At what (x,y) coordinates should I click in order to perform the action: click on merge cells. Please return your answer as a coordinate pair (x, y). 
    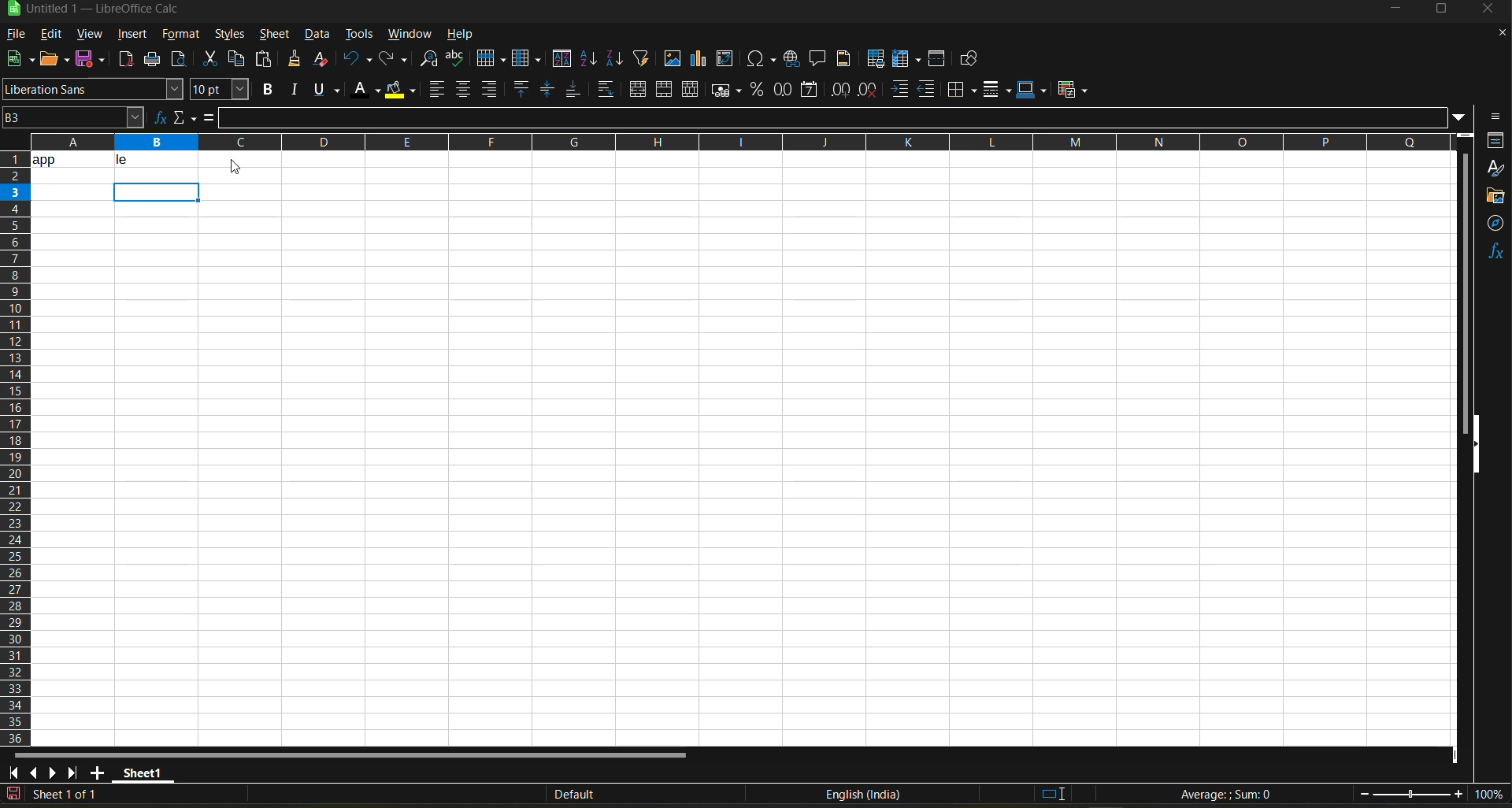
    Looking at the image, I should click on (666, 92).